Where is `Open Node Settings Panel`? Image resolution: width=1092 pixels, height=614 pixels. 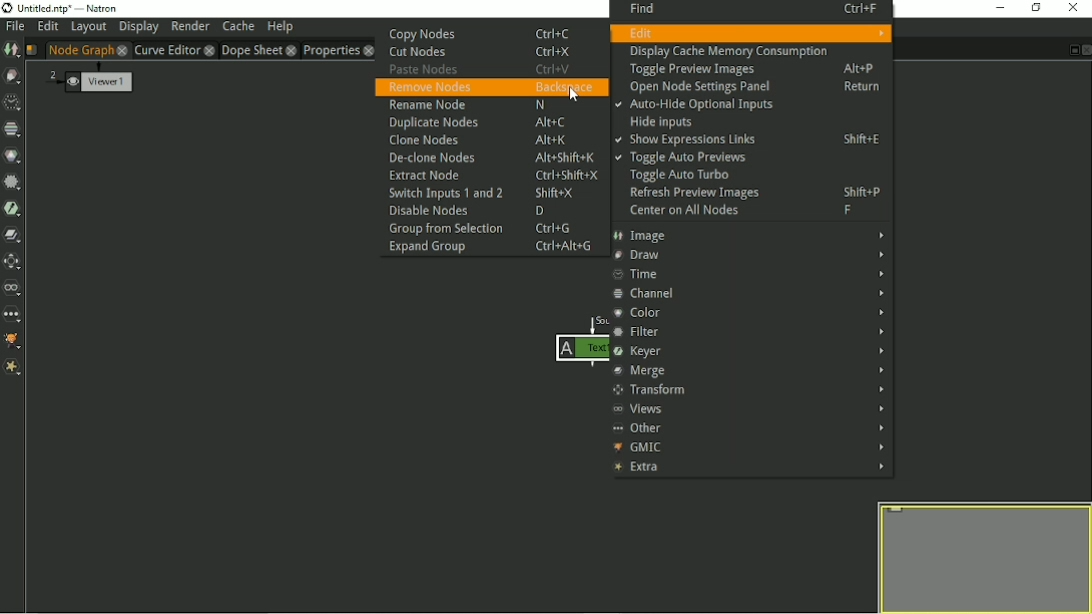
Open Node Settings Panel is located at coordinates (753, 88).